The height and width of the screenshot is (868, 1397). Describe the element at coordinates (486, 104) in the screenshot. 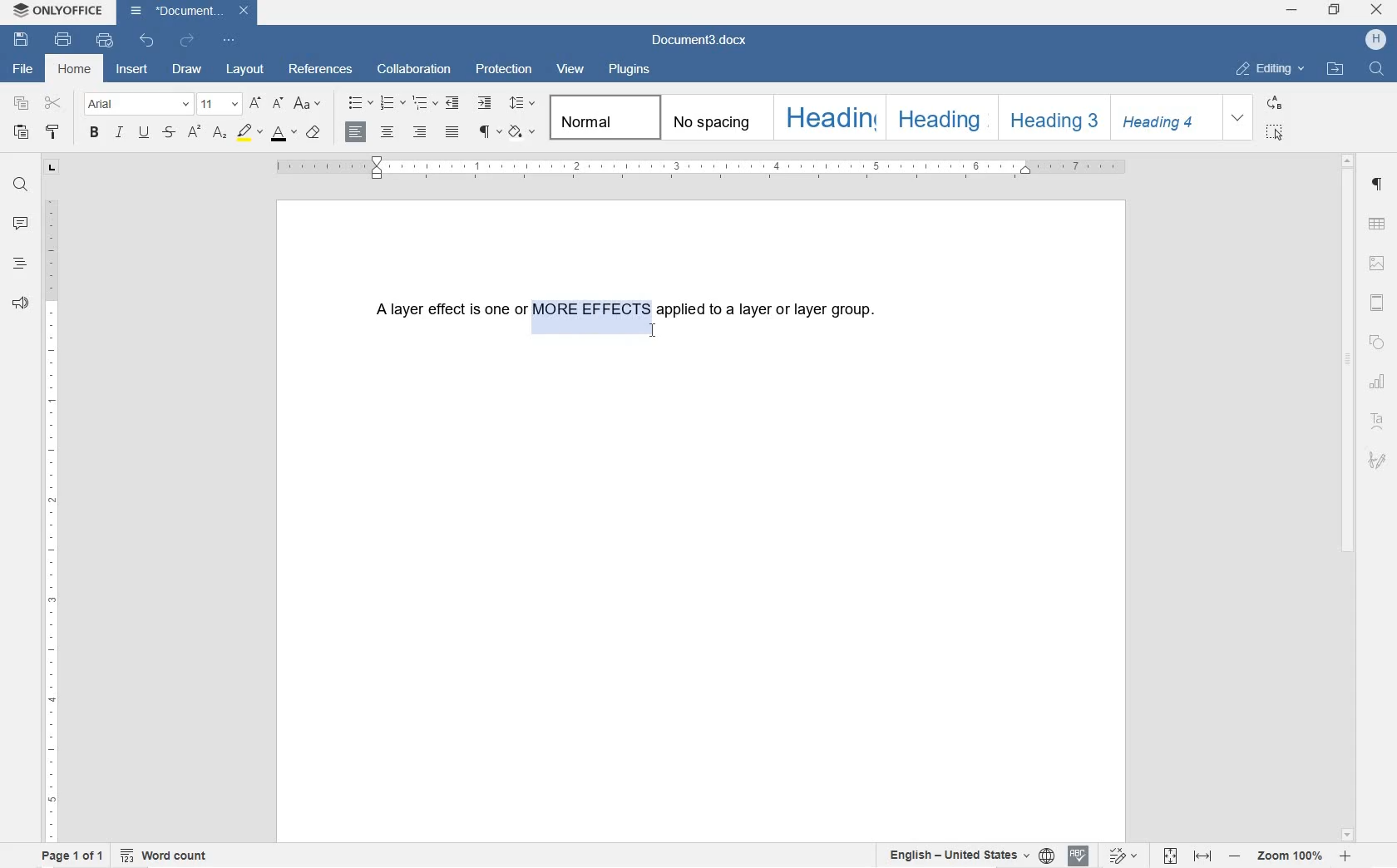

I see `INCREASE INDENT` at that location.